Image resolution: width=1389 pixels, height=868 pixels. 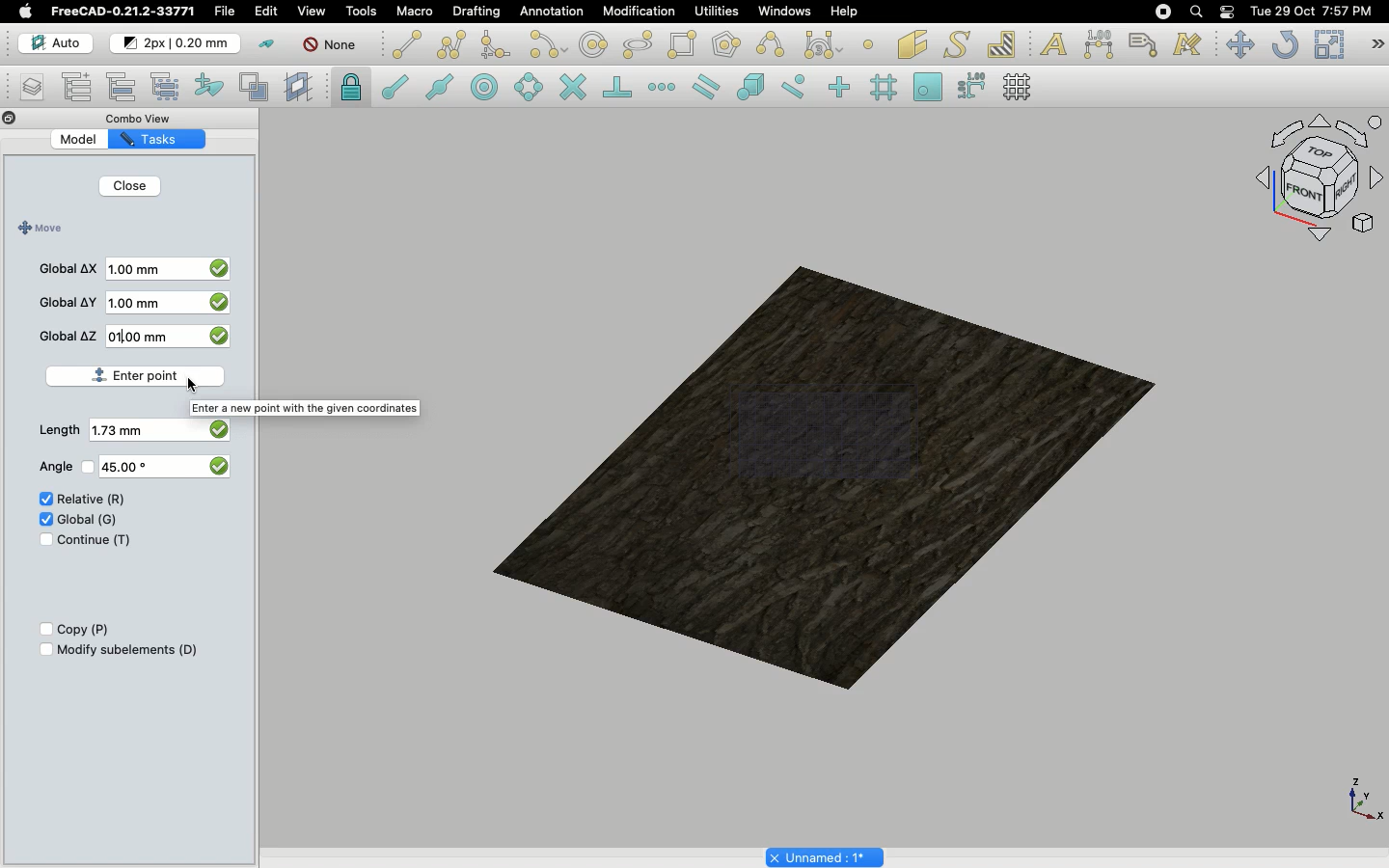 I want to click on Snap parallel, so click(x=706, y=87).